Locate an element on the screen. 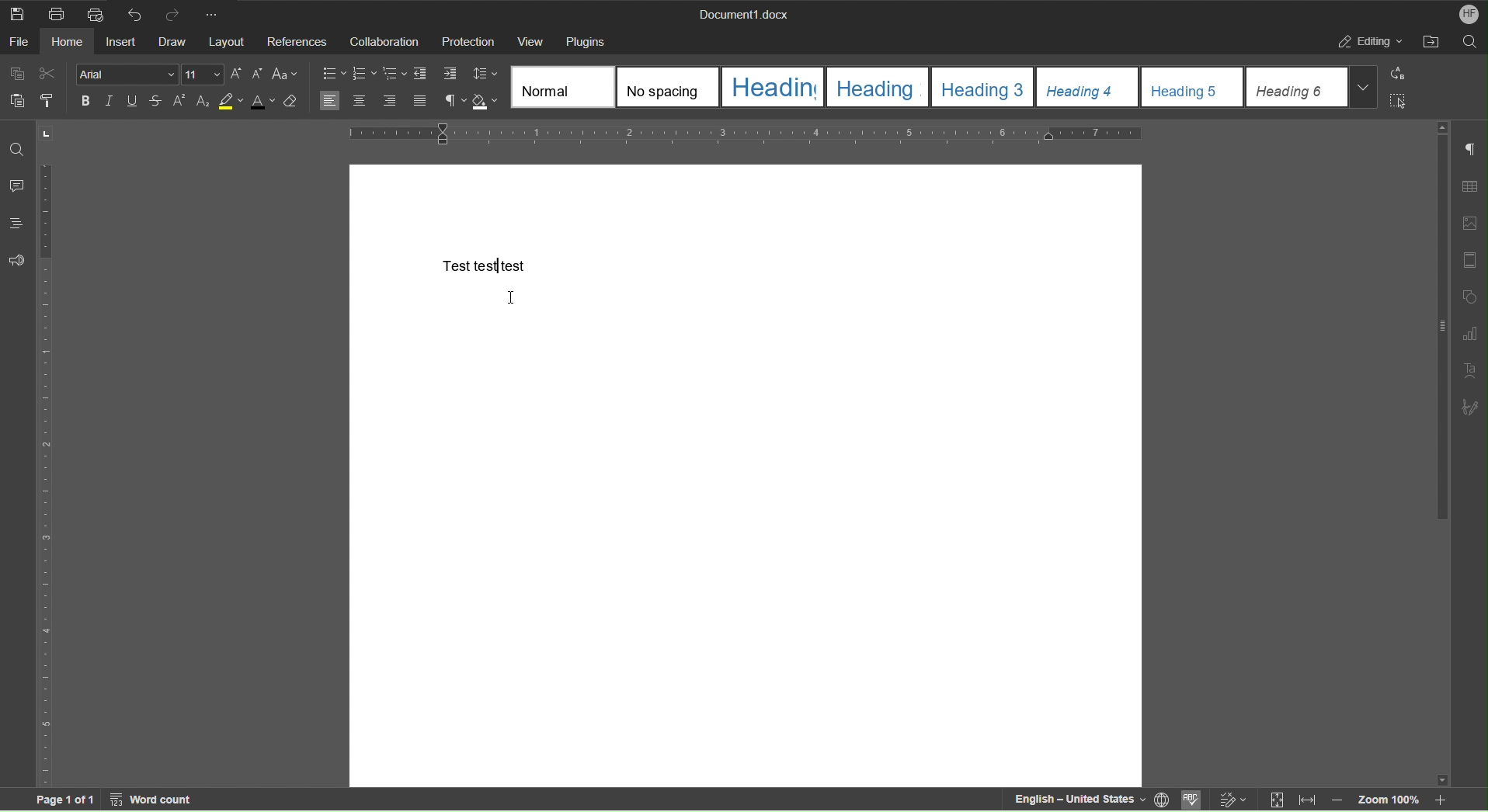 The width and height of the screenshot is (1488, 812). Normal is located at coordinates (564, 86).